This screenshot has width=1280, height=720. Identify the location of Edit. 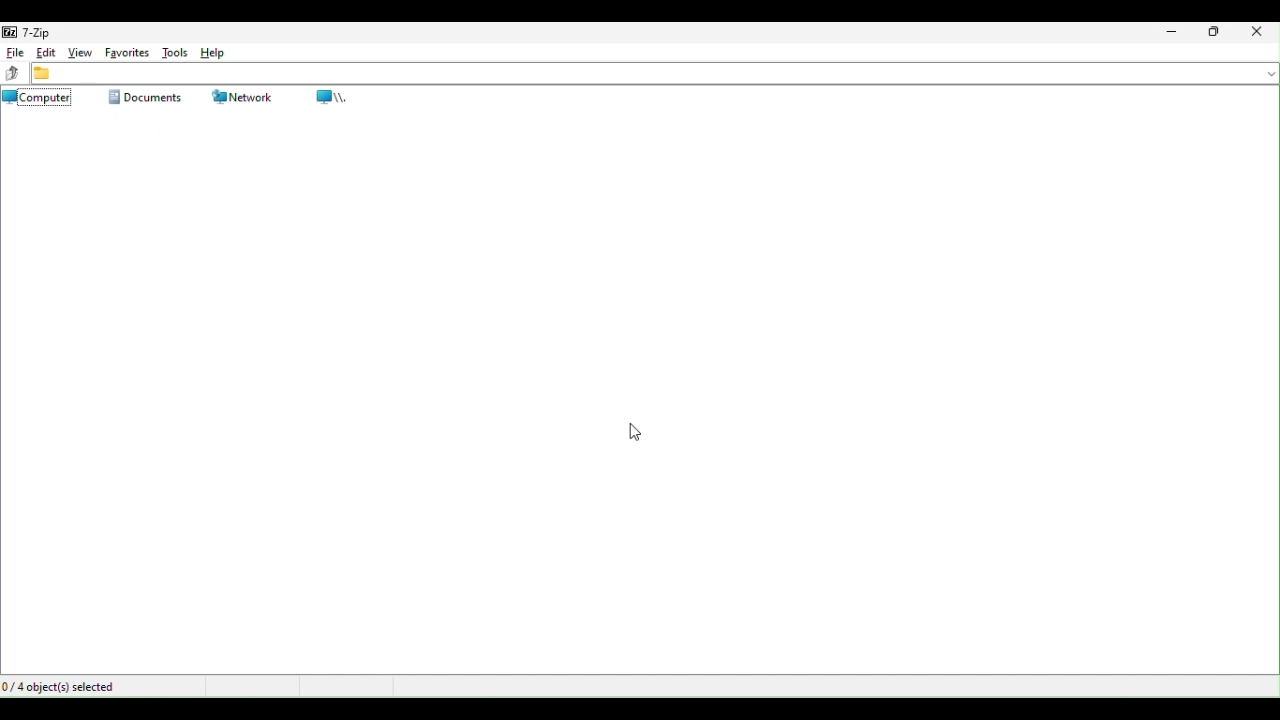
(45, 53).